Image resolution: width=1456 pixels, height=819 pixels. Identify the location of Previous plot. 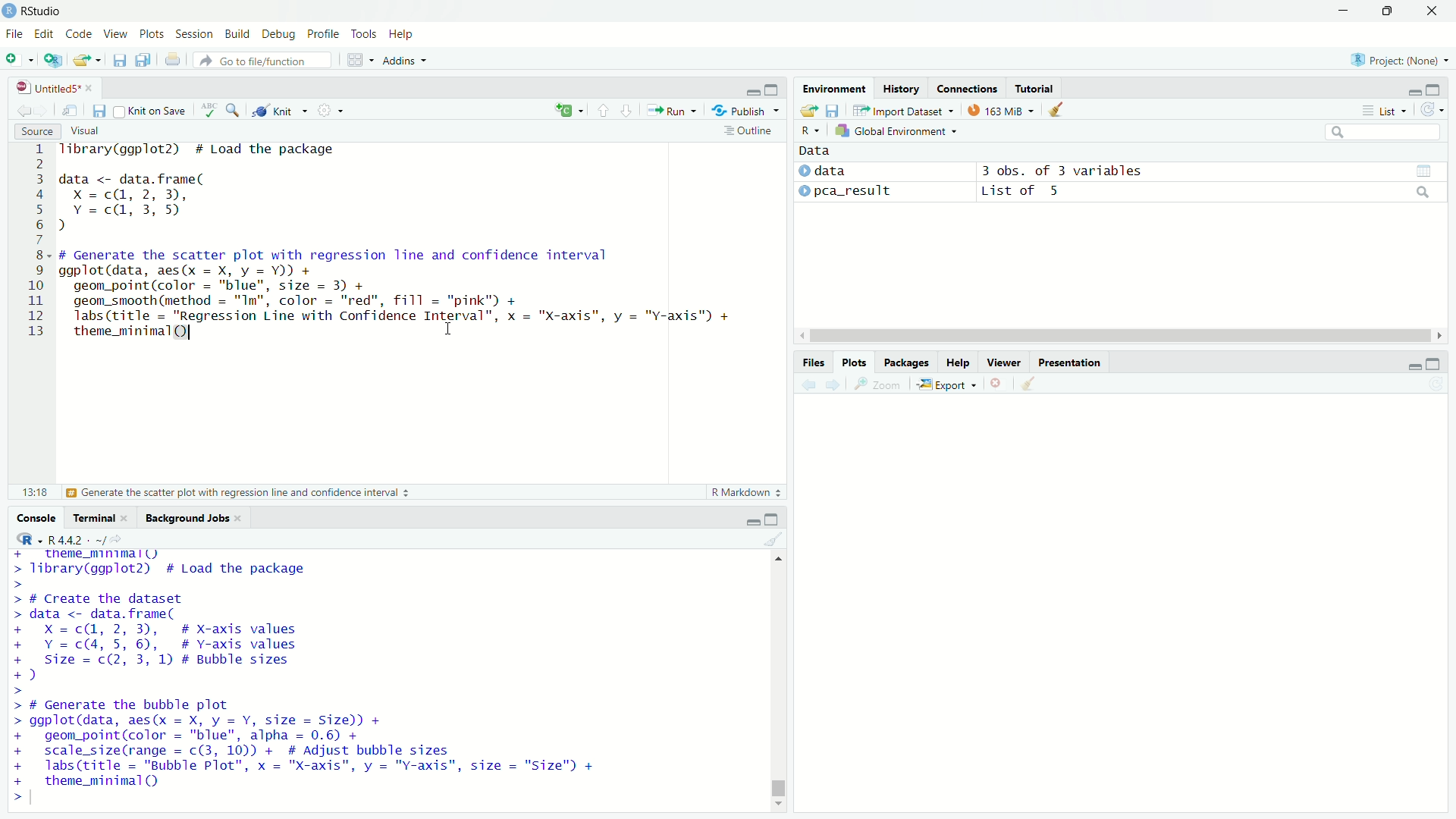
(809, 384).